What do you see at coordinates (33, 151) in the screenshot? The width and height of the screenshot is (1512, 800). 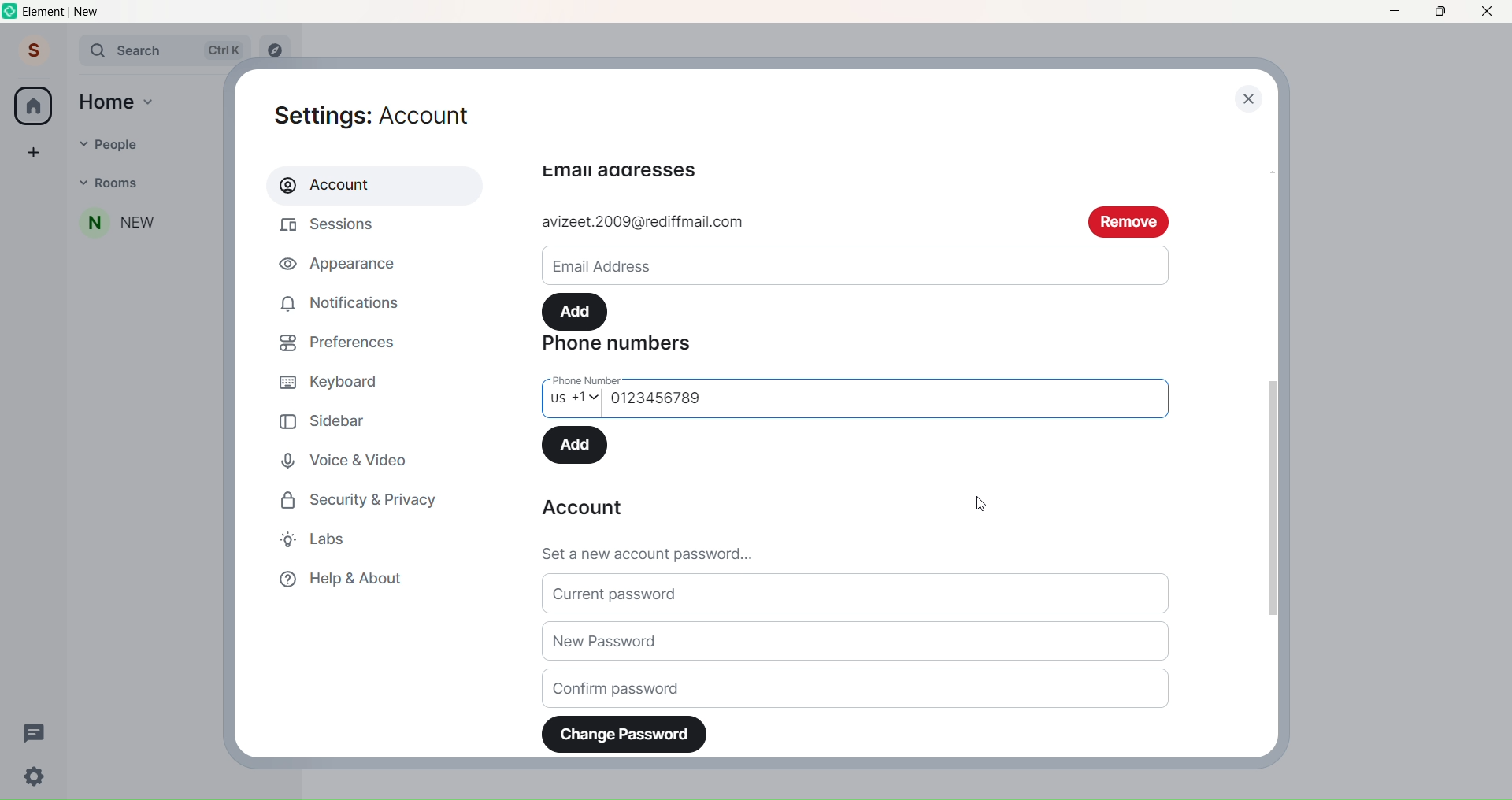 I see `Create a space` at bounding box center [33, 151].